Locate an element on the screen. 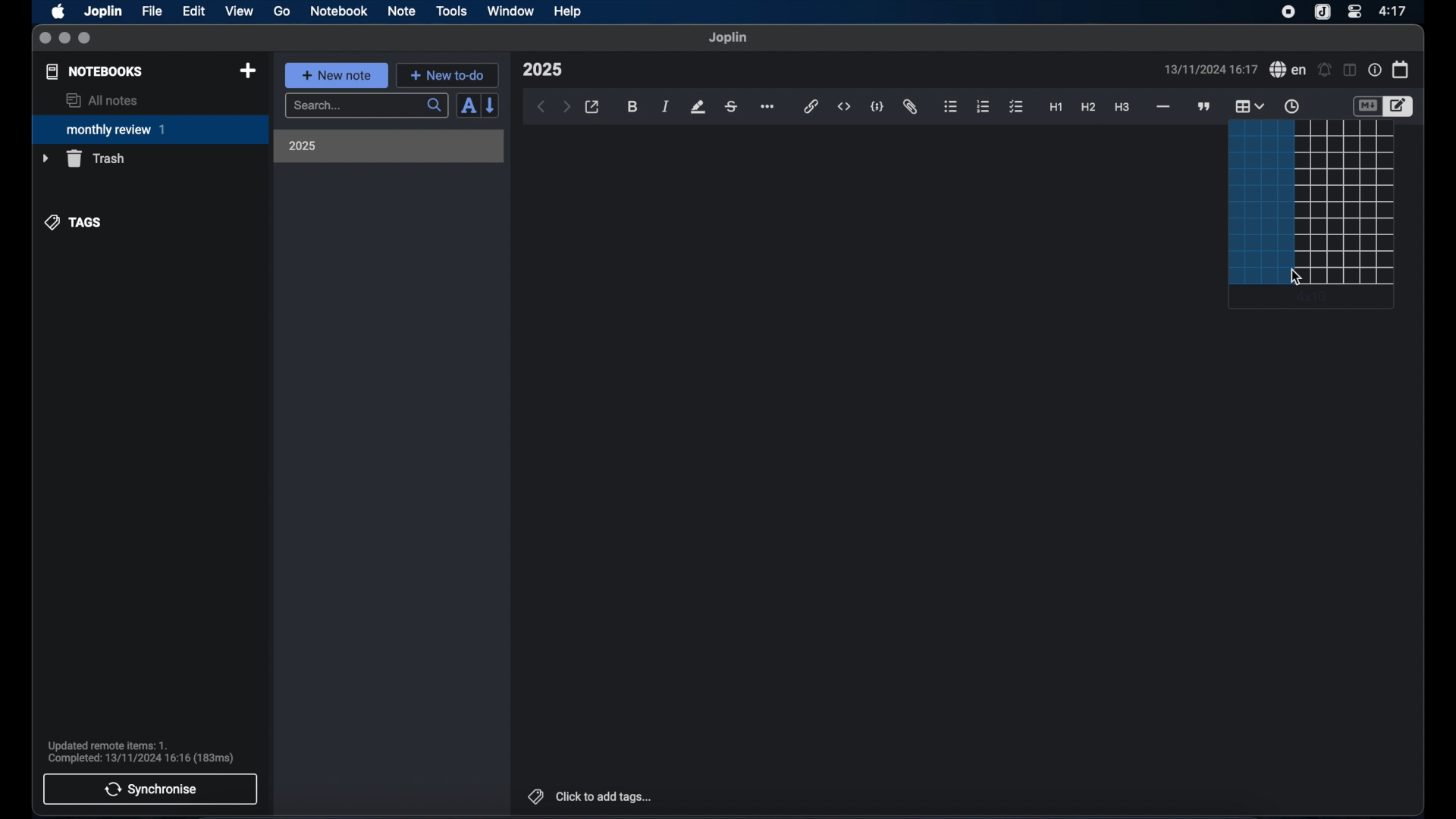  view is located at coordinates (239, 11).